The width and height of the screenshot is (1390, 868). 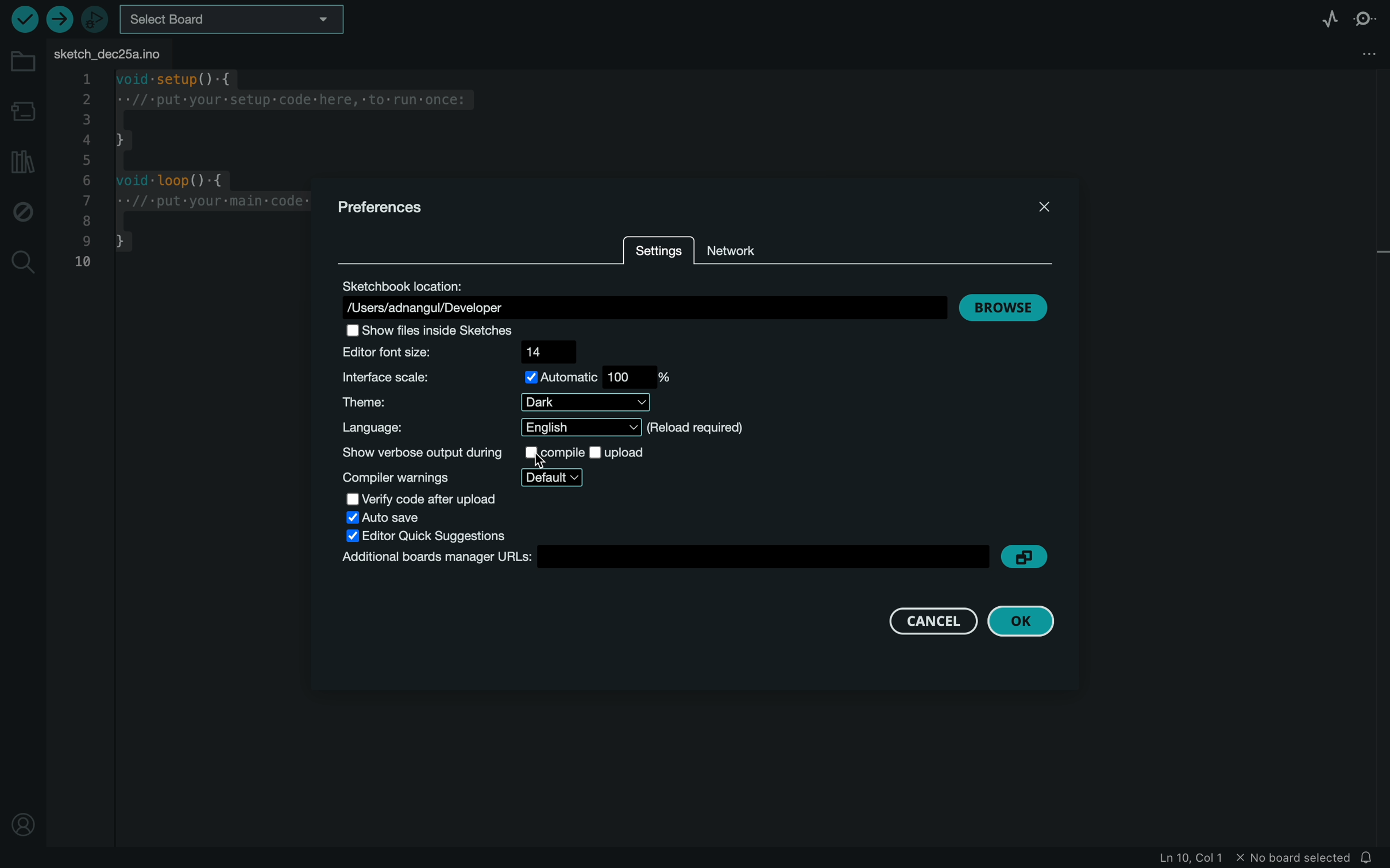 What do you see at coordinates (1026, 557) in the screenshot?
I see `copy` at bounding box center [1026, 557].